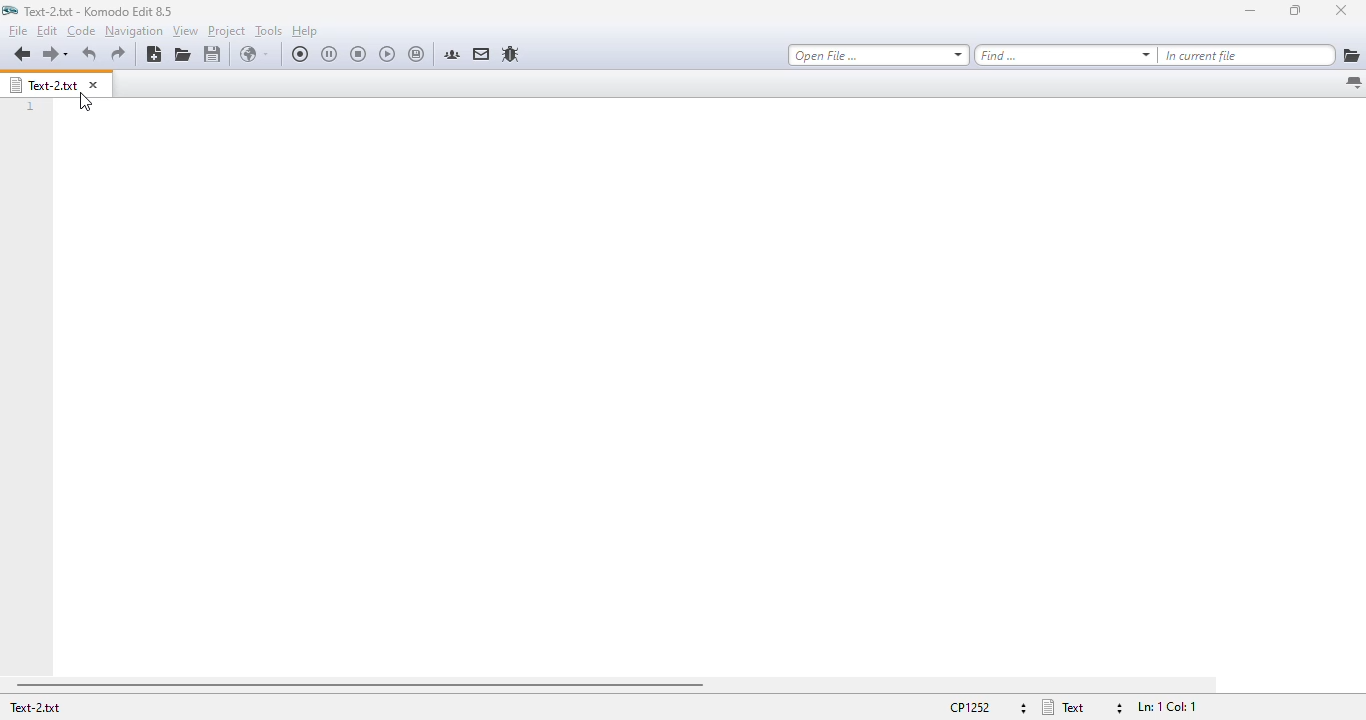 Image resolution: width=1366 pixels, height=720 pixels. Describe the element at coordinates (1065, 54) in the screenshot. I see `find` at that location.